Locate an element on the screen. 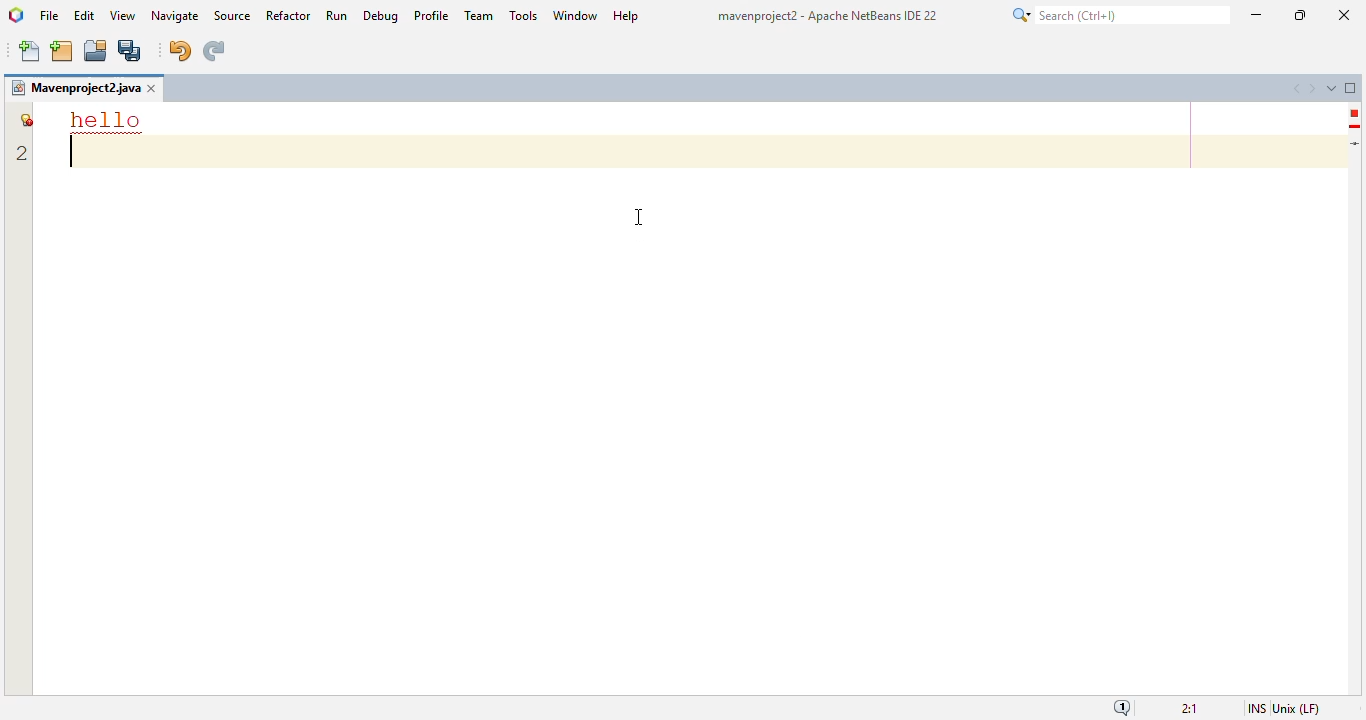 The image size is (1366, 720). team is located at coordinates (479, 15).